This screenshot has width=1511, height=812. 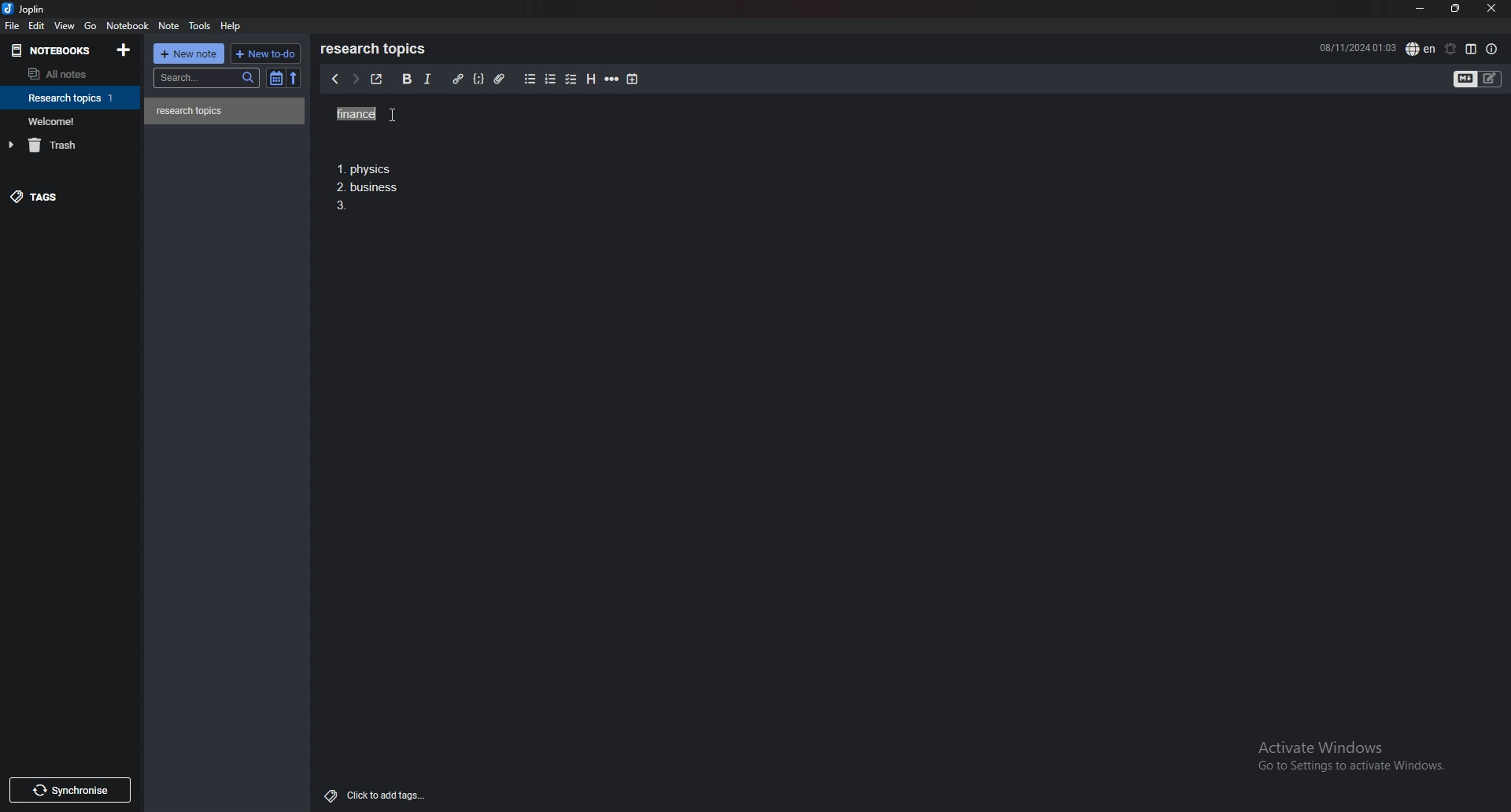 I want to click on toggle external editor, so click(x=375, y=79).